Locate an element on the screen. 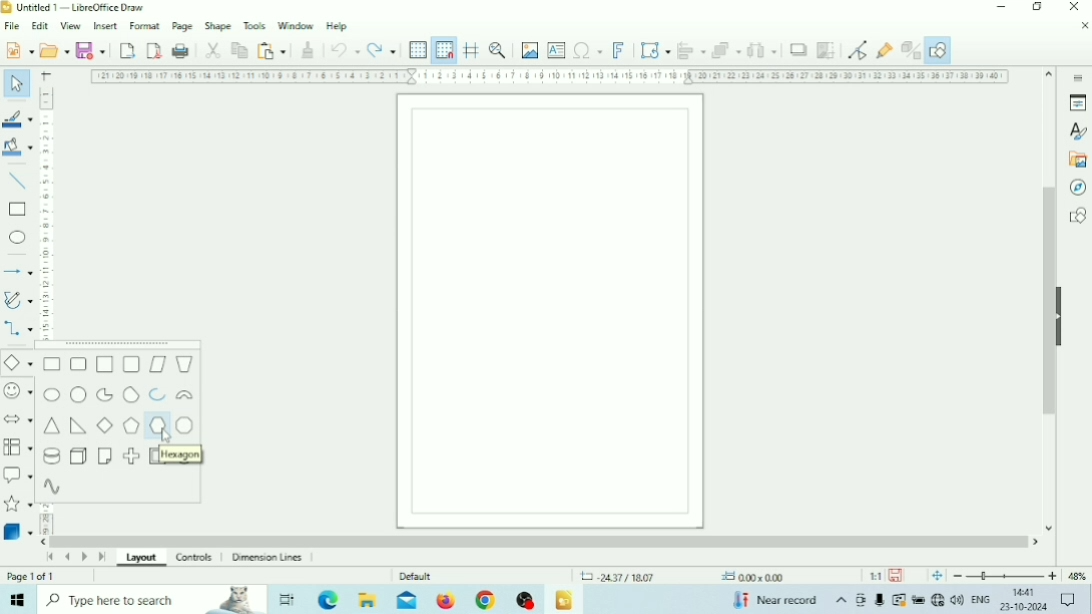 This screenshot has width=1092, height=614. Speakers is located at coordinates (958, 598).